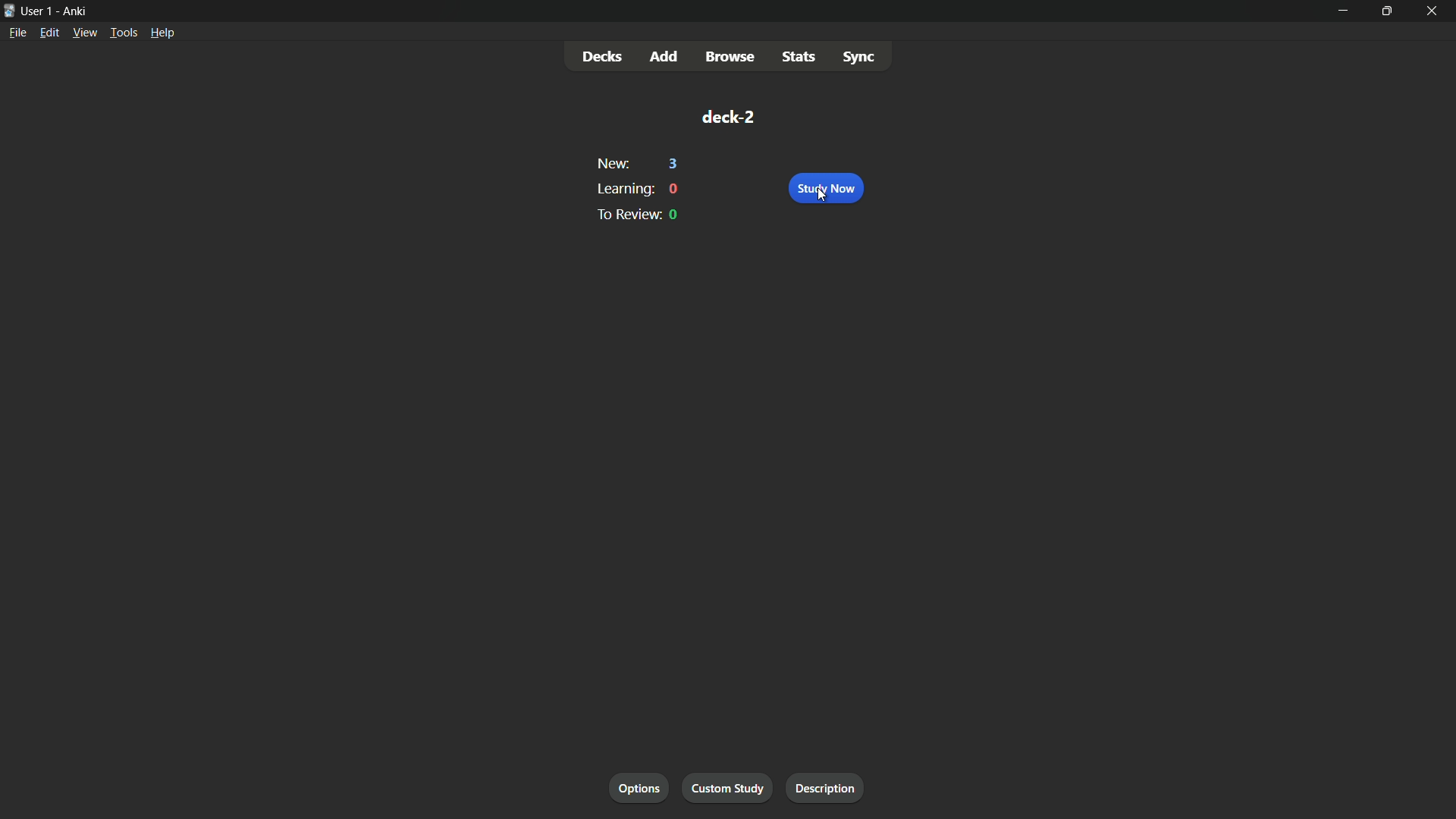 Image resolution: width=1456 pixels, height=819 pixels. Describe the element at coordinates (859, 55) in the screenshot. I see `sync` at that location.